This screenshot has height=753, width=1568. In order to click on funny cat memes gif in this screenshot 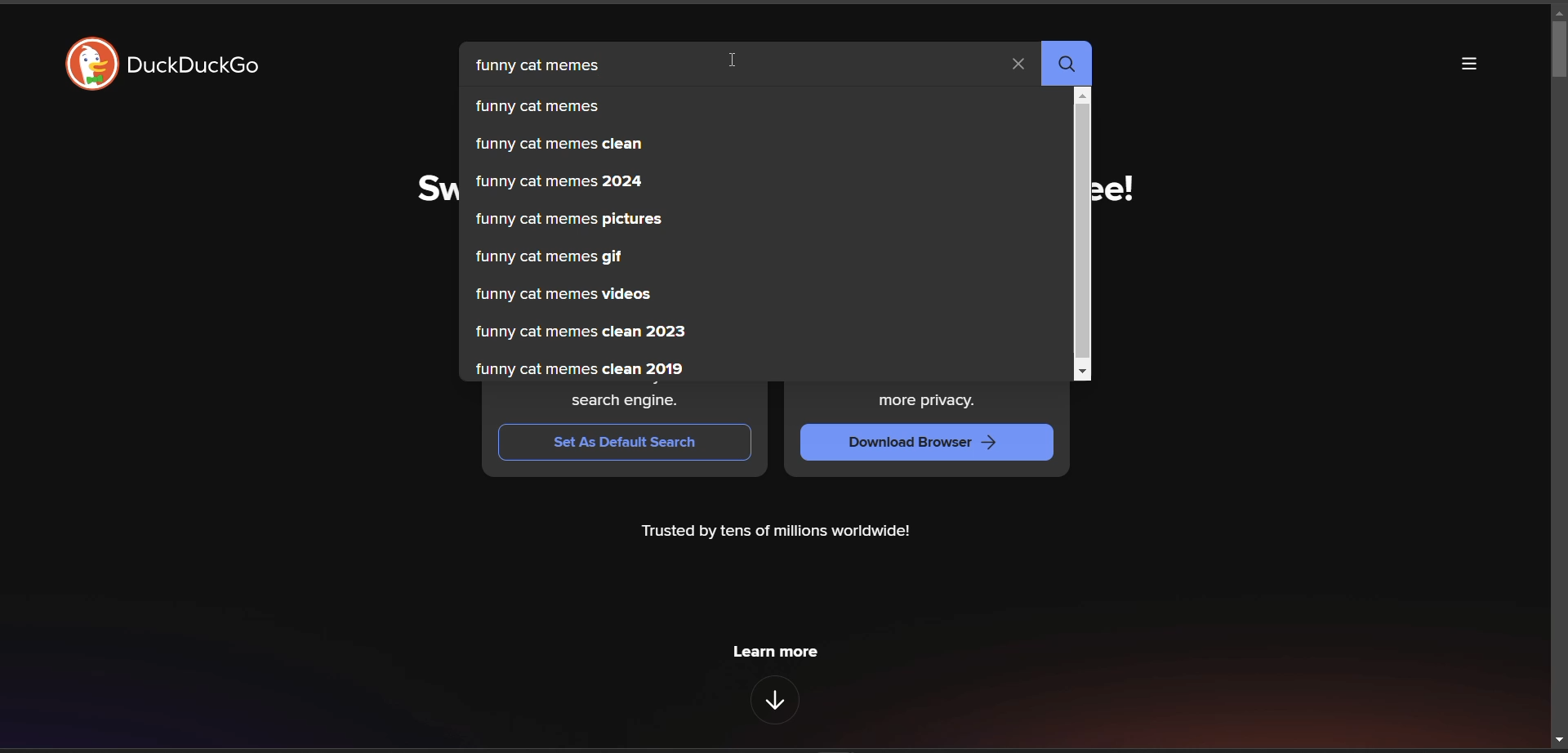, I will do `click(550, 256)`.